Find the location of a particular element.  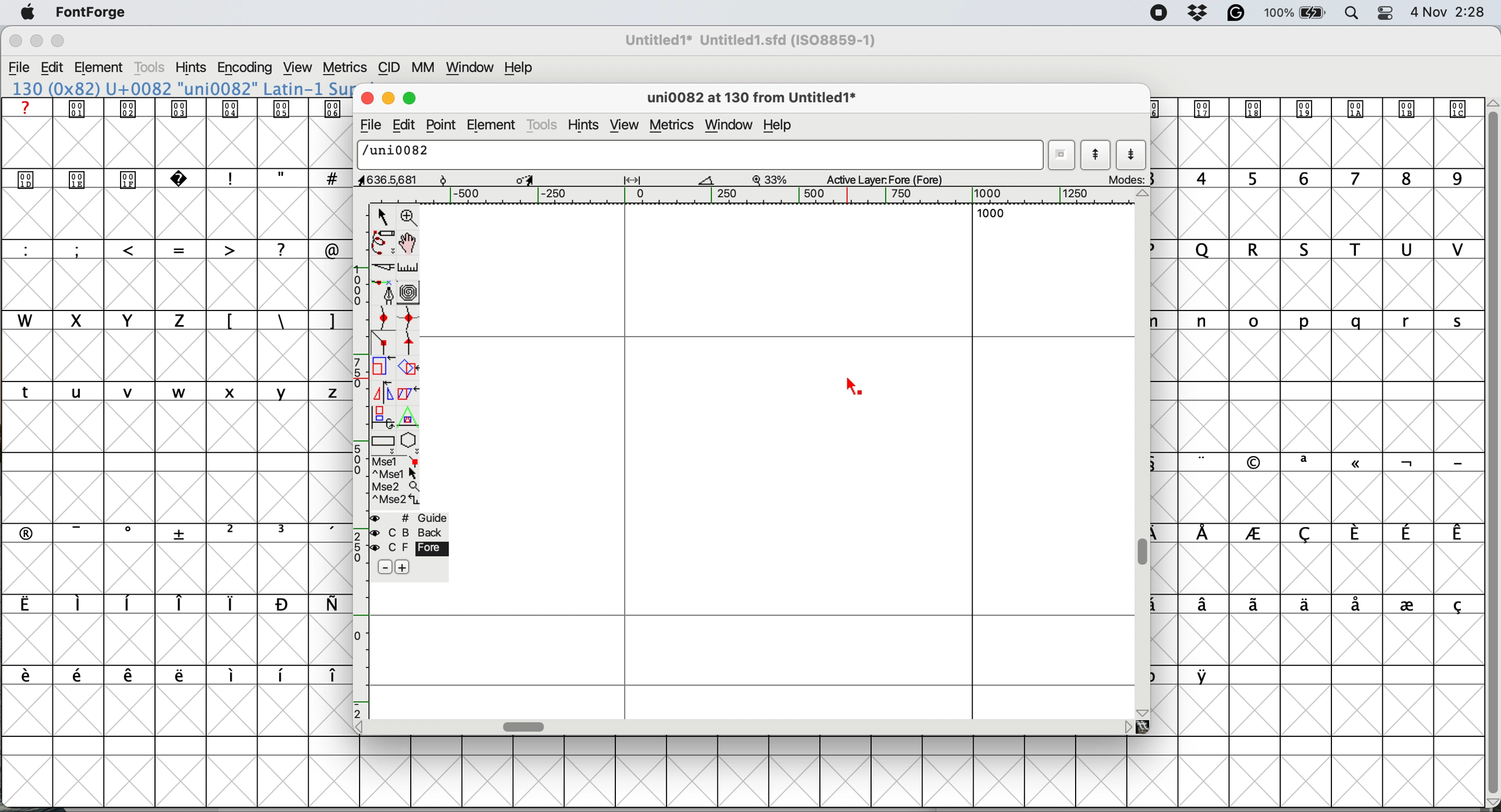

system logo is located at coordinates (28, 13).